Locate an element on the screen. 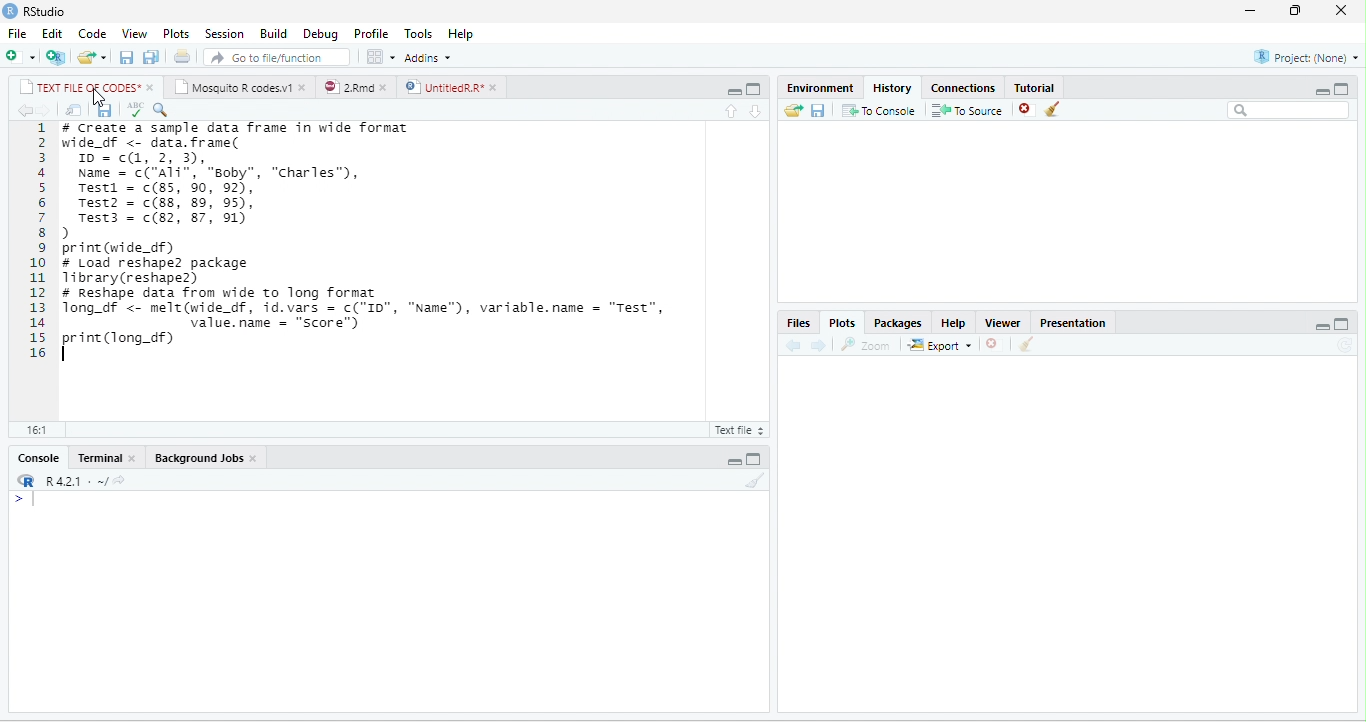 The height and width of the screenshot is (722, 1366). Help is located at coordinates (460, 34).